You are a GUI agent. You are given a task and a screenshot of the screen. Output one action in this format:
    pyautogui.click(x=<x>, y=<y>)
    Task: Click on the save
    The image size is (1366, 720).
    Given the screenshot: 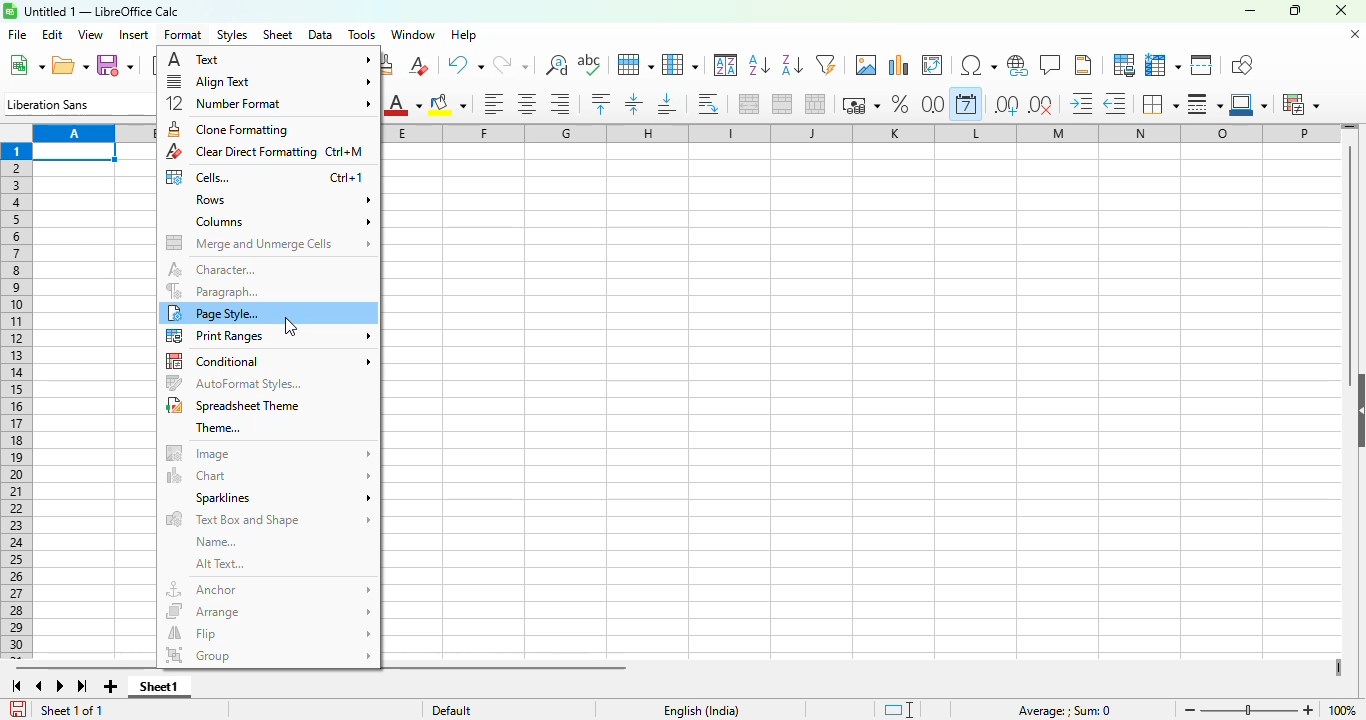 What is the action you would take?
    pyautogui.click(x=115, y=66)
    